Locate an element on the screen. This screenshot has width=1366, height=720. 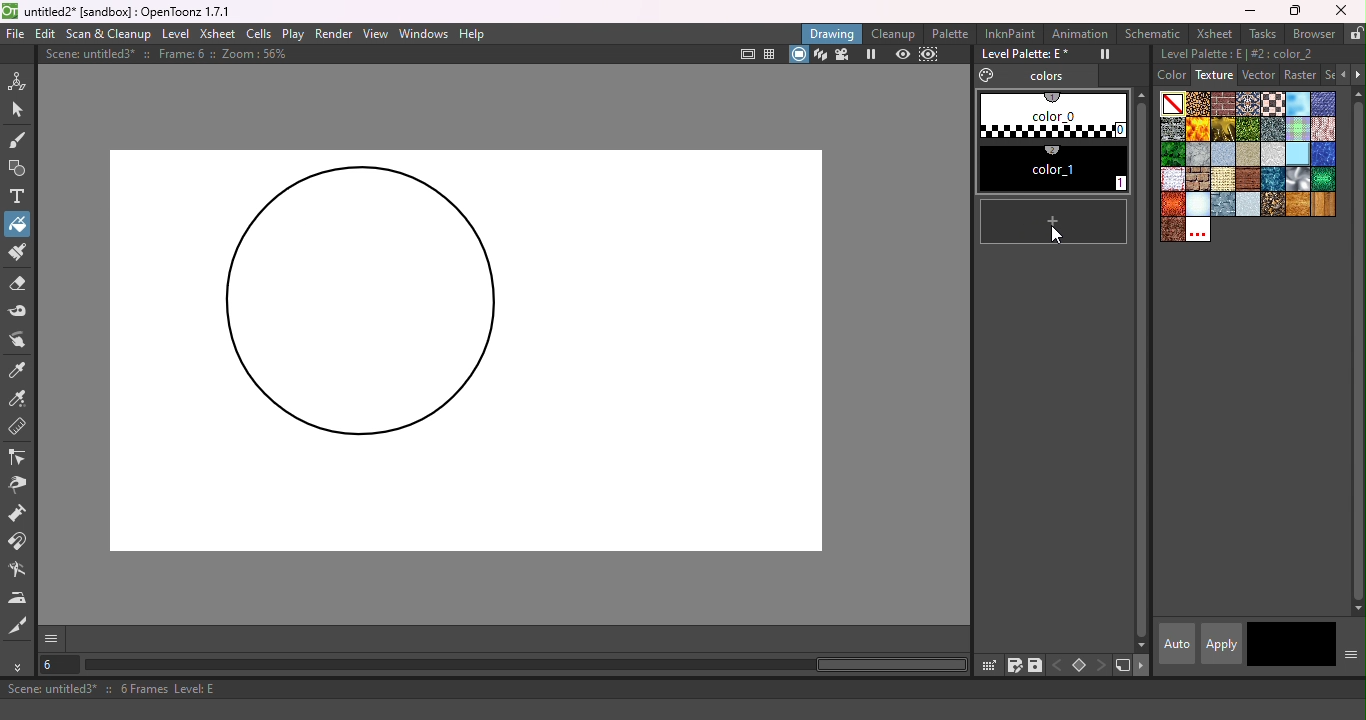
RGB Picker tool is located at coordinates (23, 400).